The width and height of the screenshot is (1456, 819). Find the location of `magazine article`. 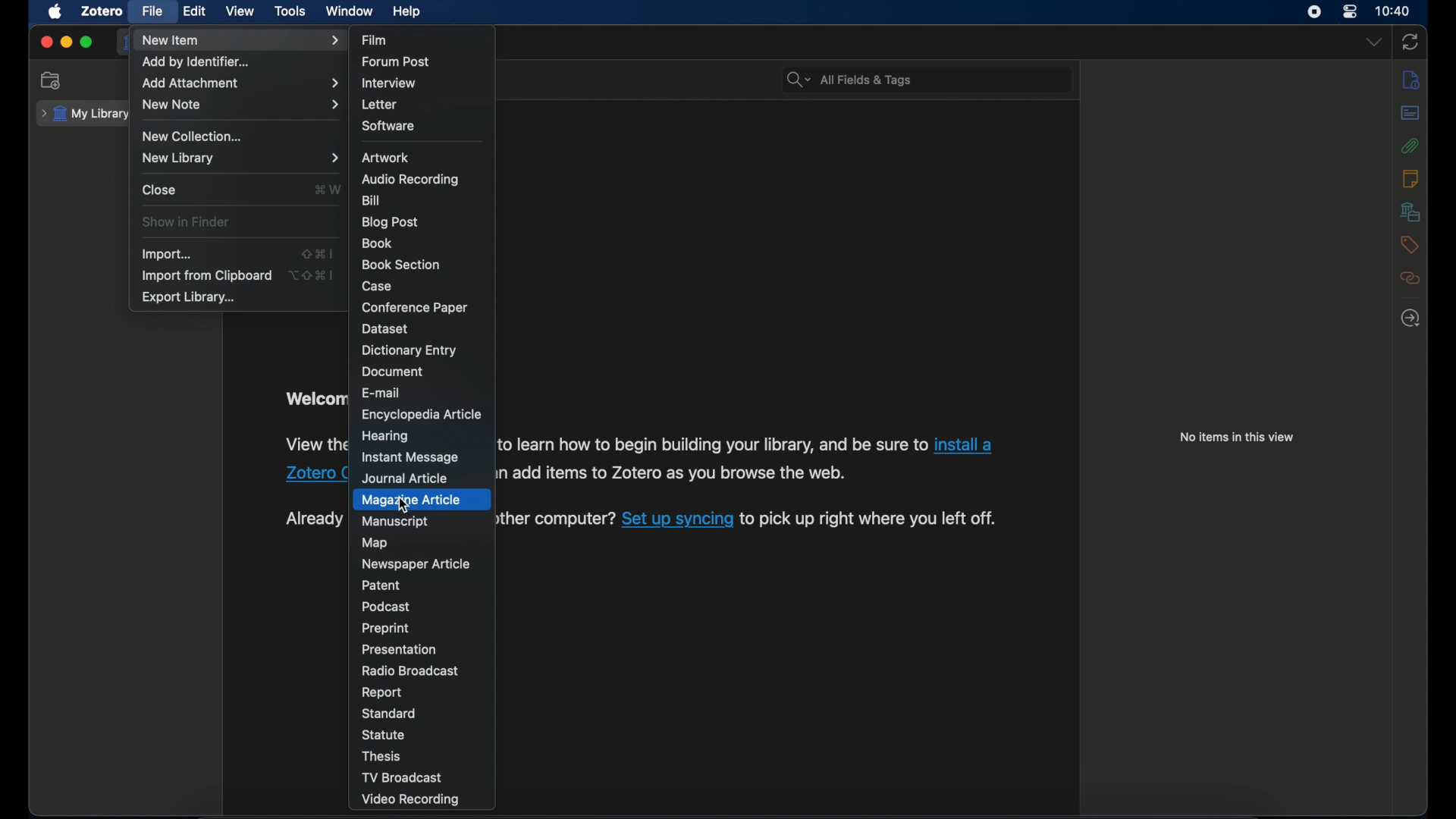

magazine article is located at coordinates (413, 500).